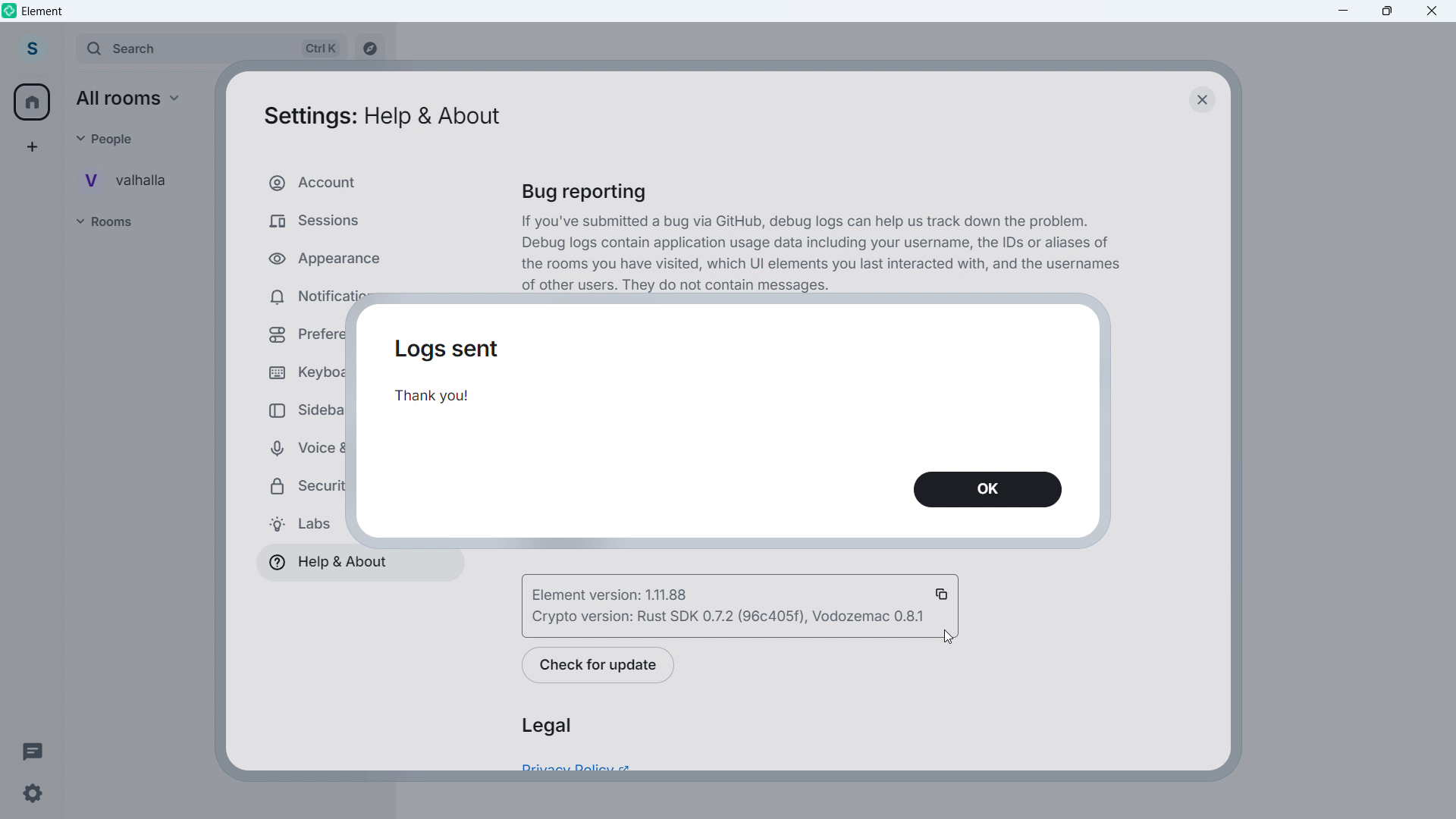 Image resolution: width=1456 pixels, height=819 pixels. Describe the element at coordinates (326, 563) in the screenshot. I see `Help and about ` at that location.